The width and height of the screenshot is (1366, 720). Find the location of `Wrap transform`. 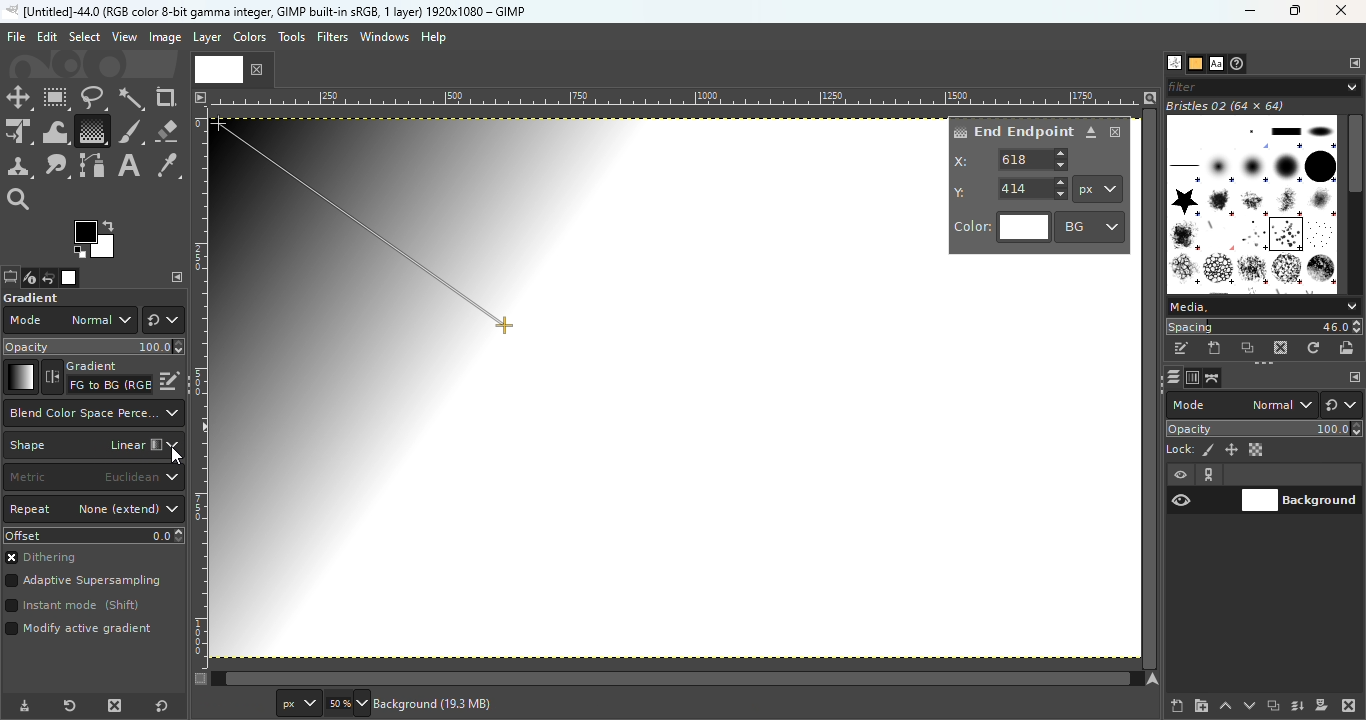

Wrap transform is located at coordinates (53, 131).